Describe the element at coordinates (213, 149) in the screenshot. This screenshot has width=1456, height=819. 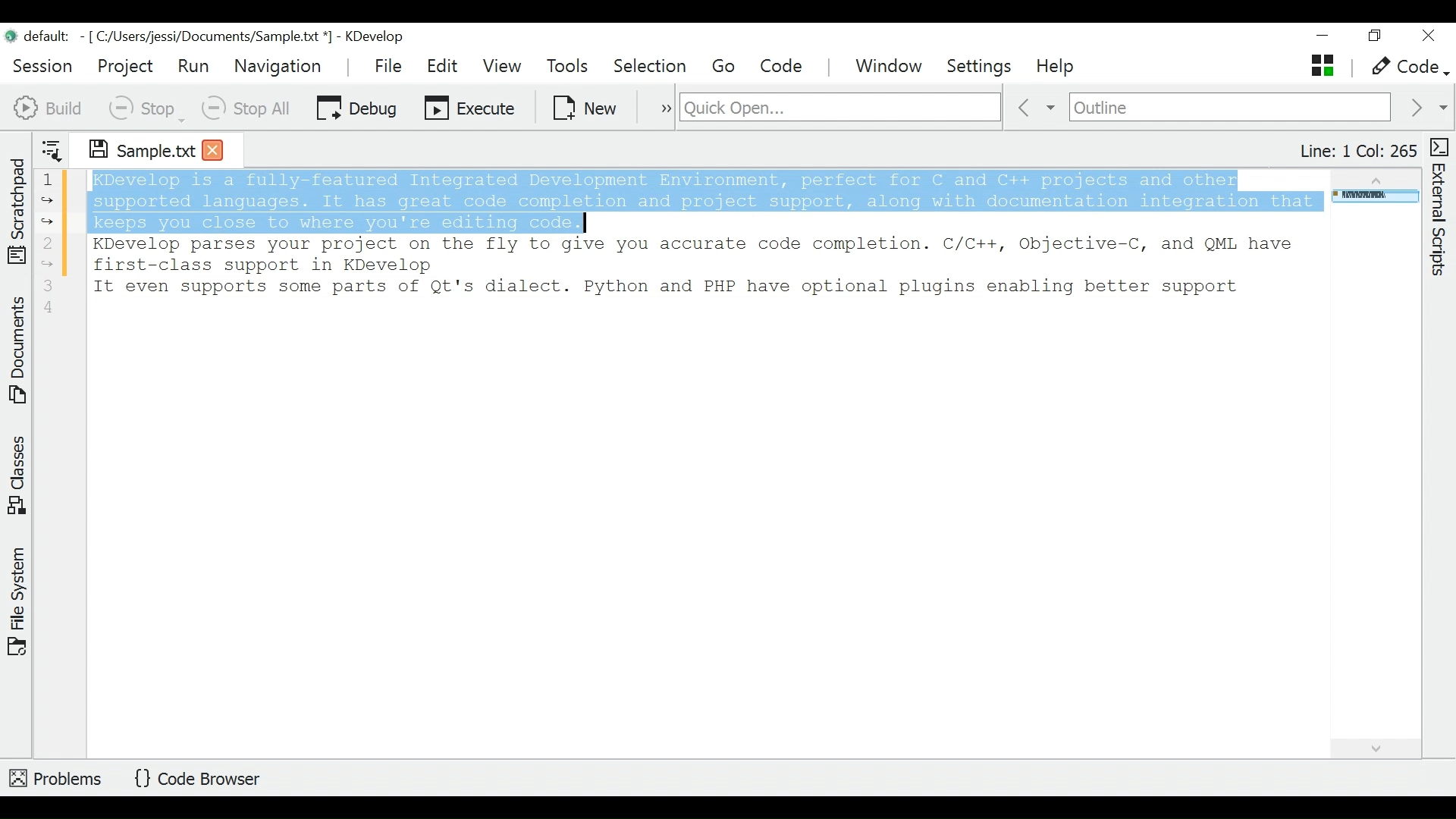
I see `Close tab` at that location.